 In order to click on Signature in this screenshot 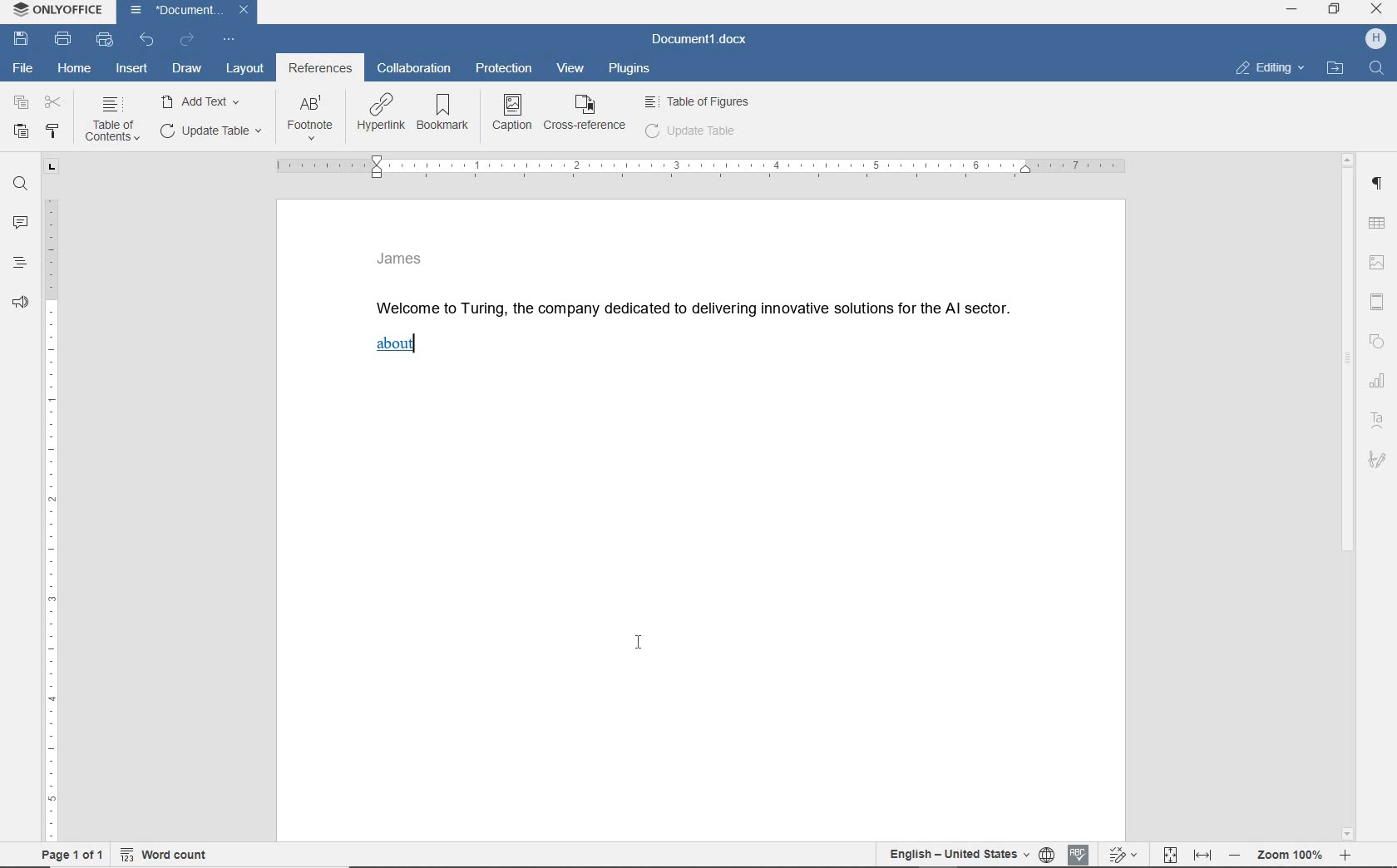, I will do `click(1379, 461)`.